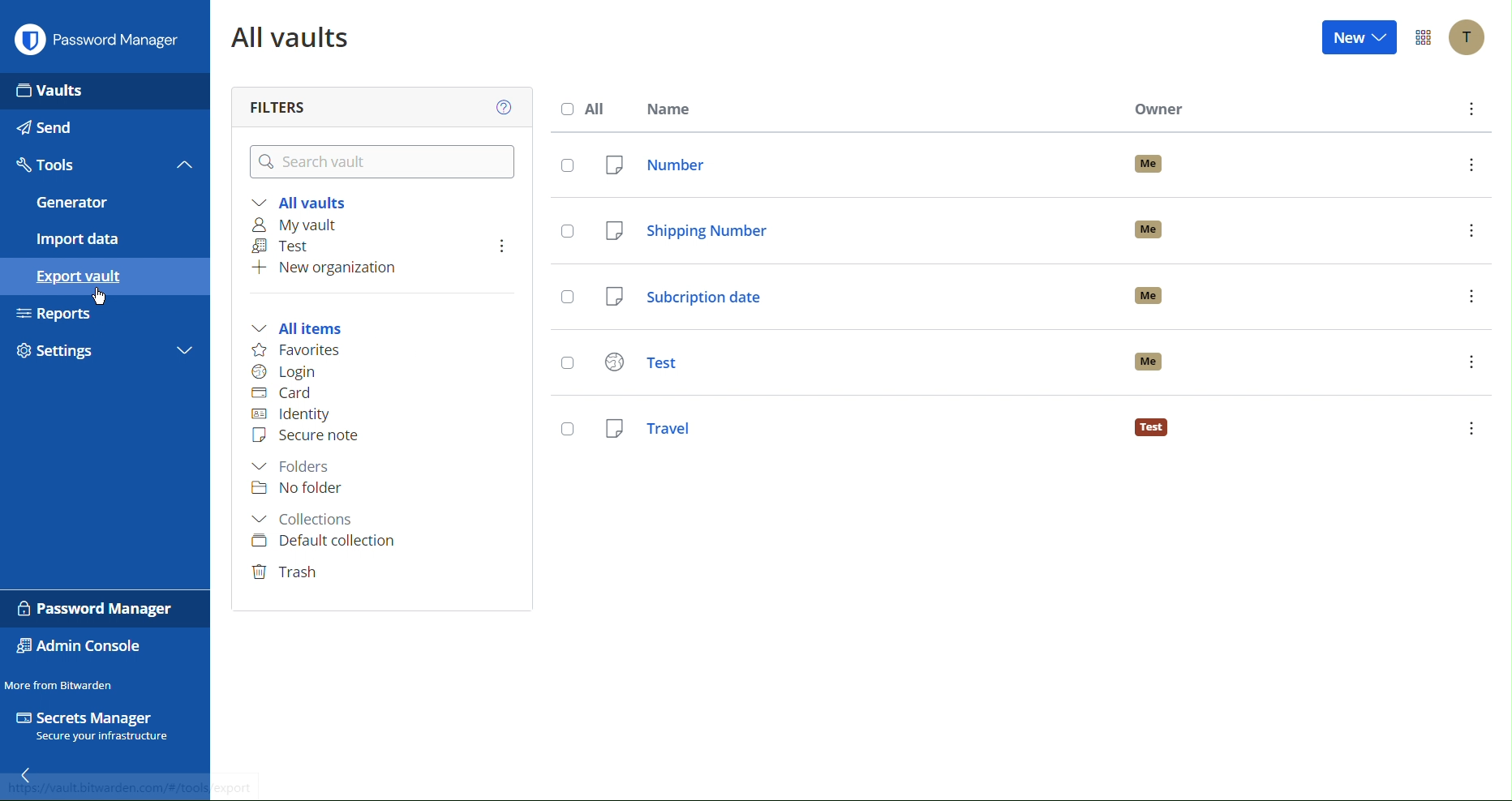  What do you see at coordinates (323, 268) in the screenshot?
I see `New organization` at bounding box center [323, 268].